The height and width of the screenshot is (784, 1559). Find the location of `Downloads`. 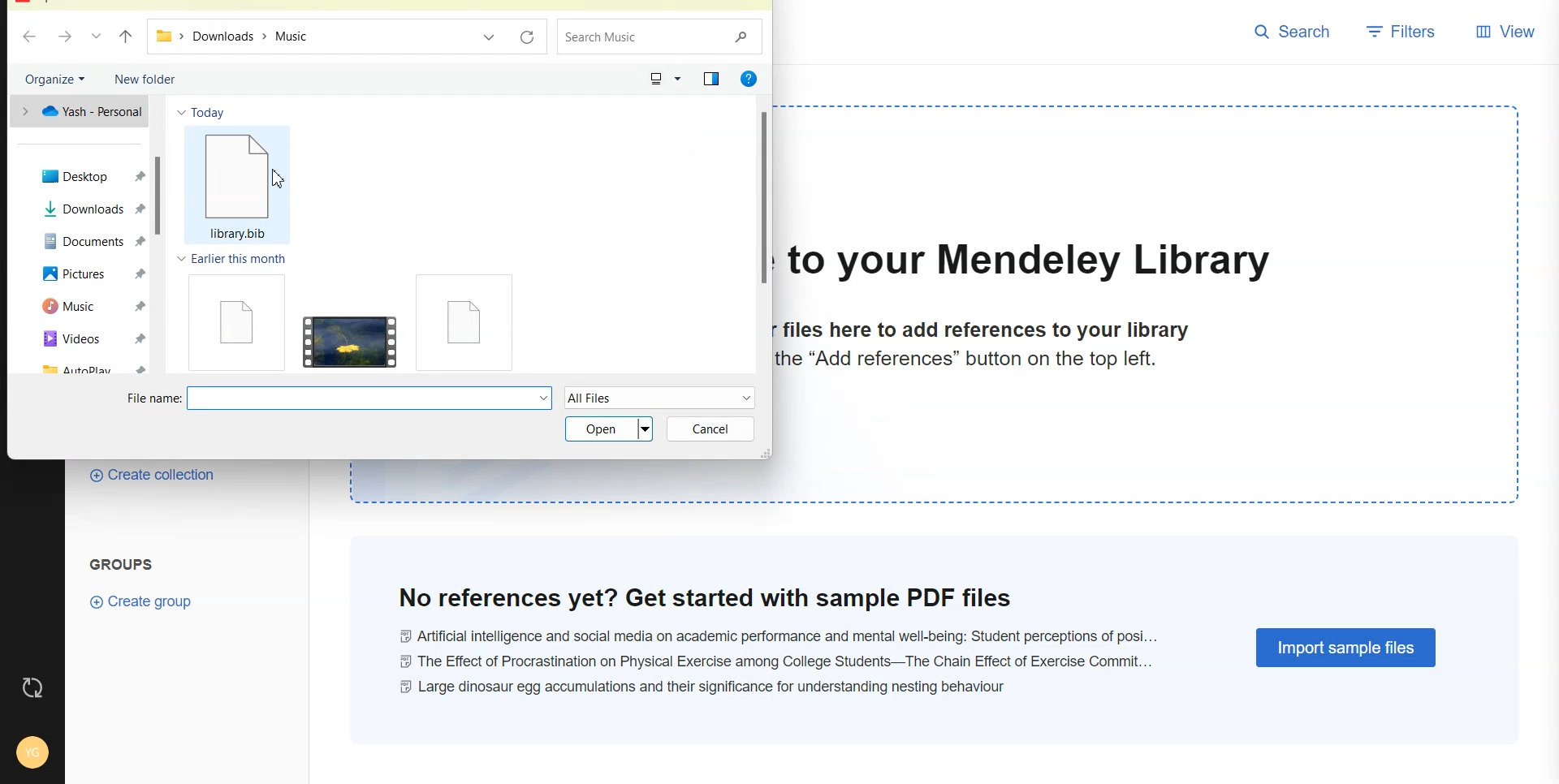

Downloads is located at coordinates (79, 207).